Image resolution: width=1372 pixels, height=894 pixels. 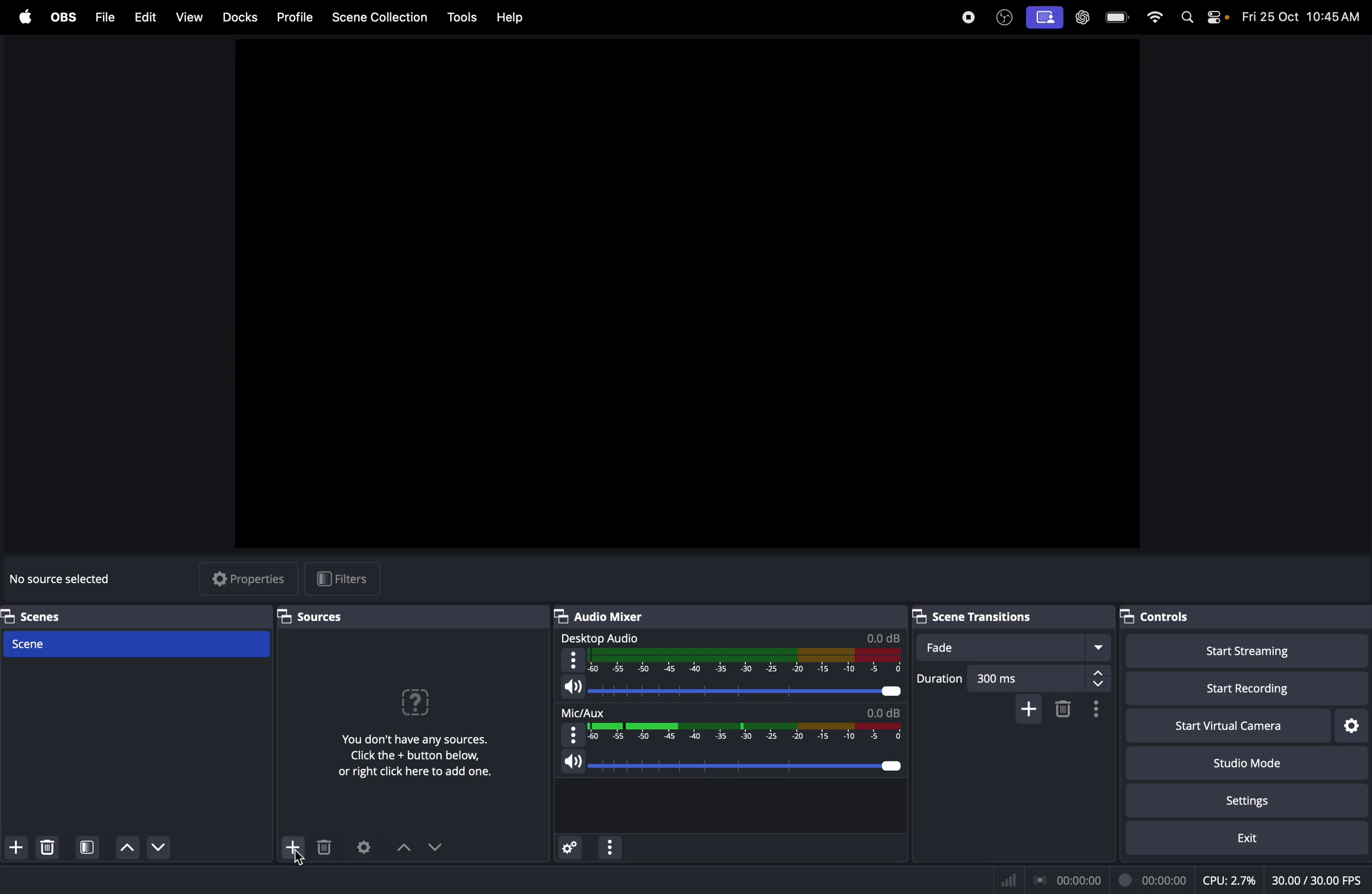 What do you see at coordinates (940, 681) in the screenshot?
I see `duration` at bounding box center [940, 681].